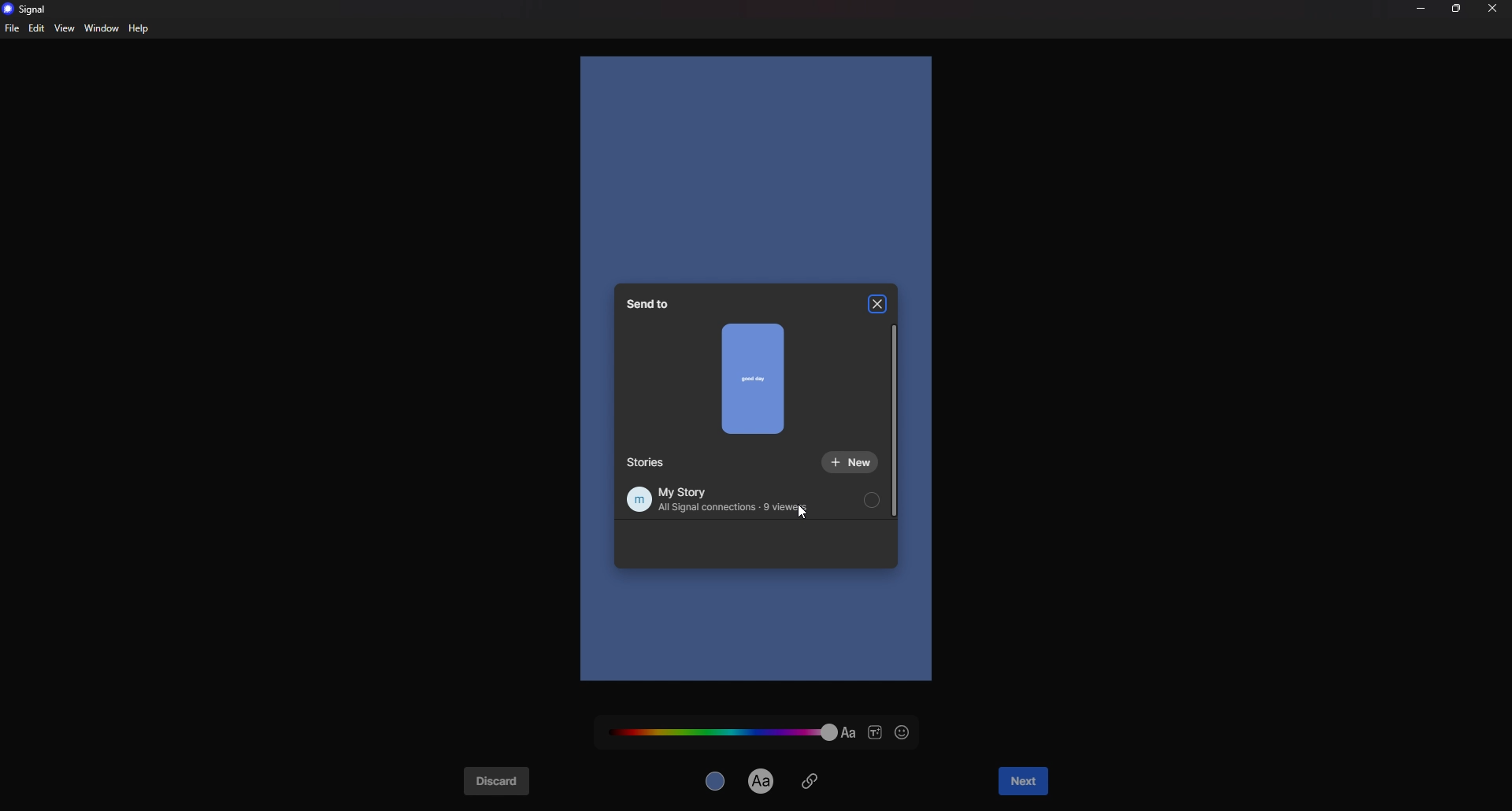  What do you see at coordinates (101, 29) in the screenshot?
I see `window` at bounding box center [101, 29].